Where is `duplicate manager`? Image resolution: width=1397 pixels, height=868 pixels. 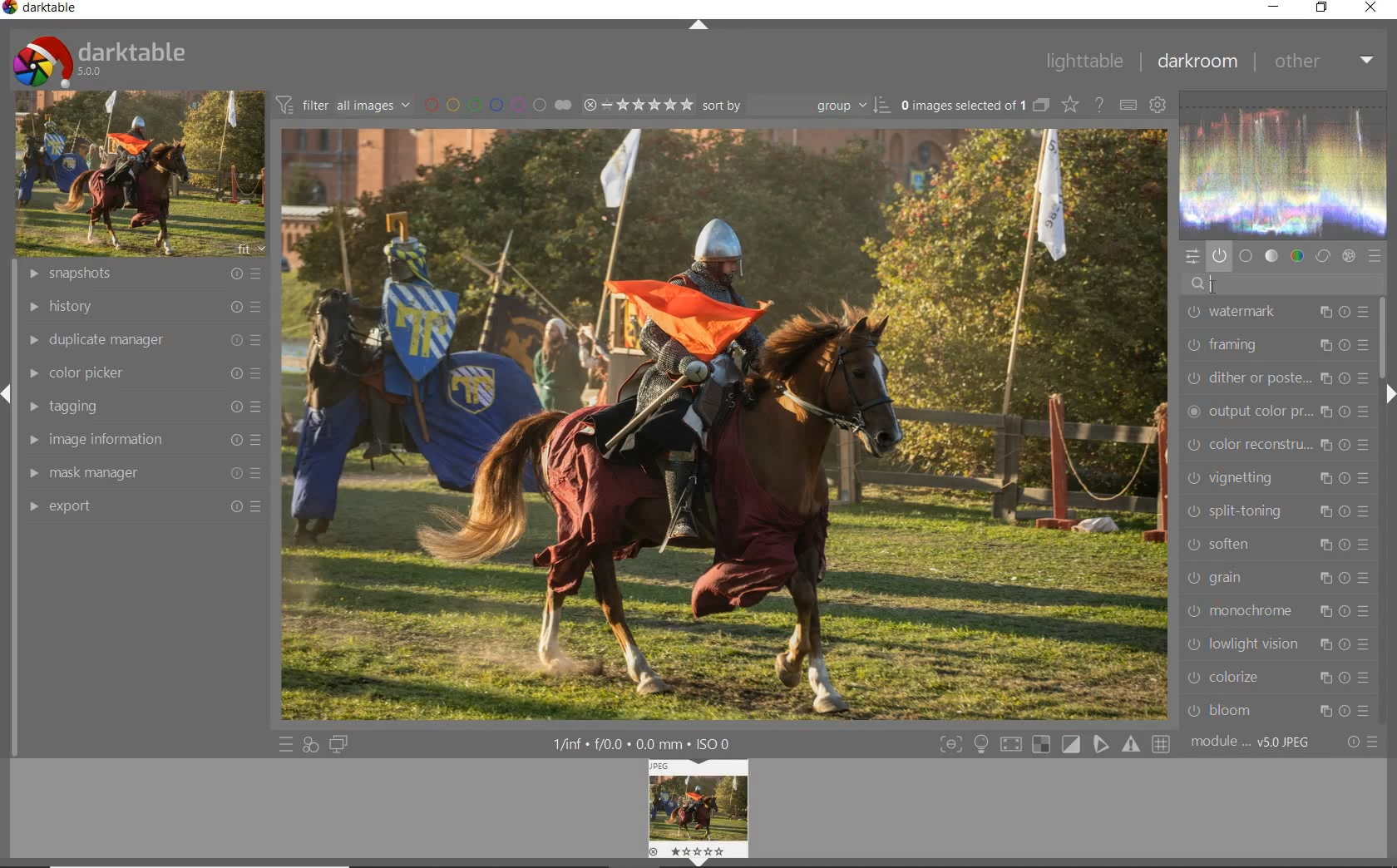 duplicate manager is located at coordinates (140, 341).